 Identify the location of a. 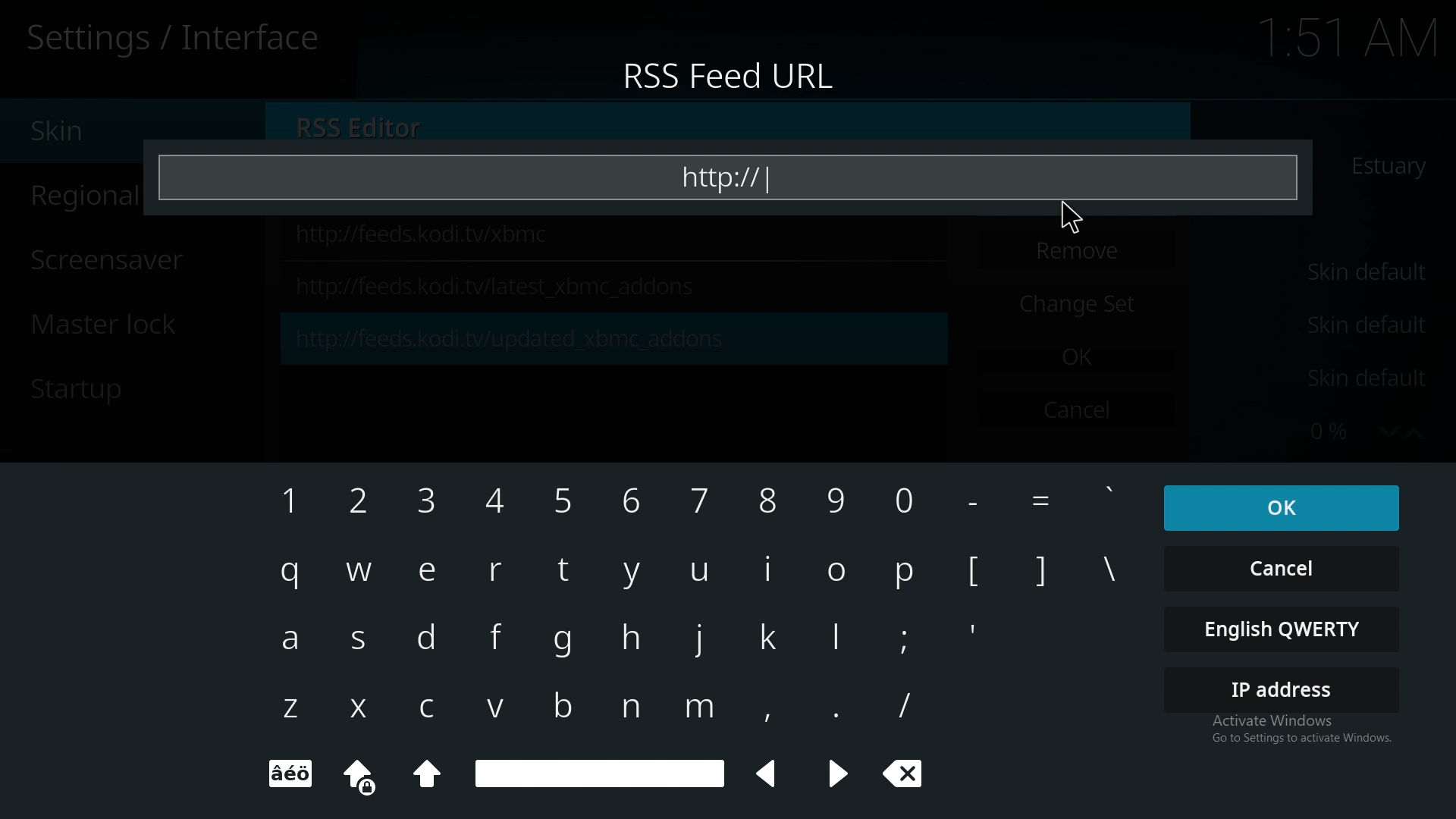
(290, 639).